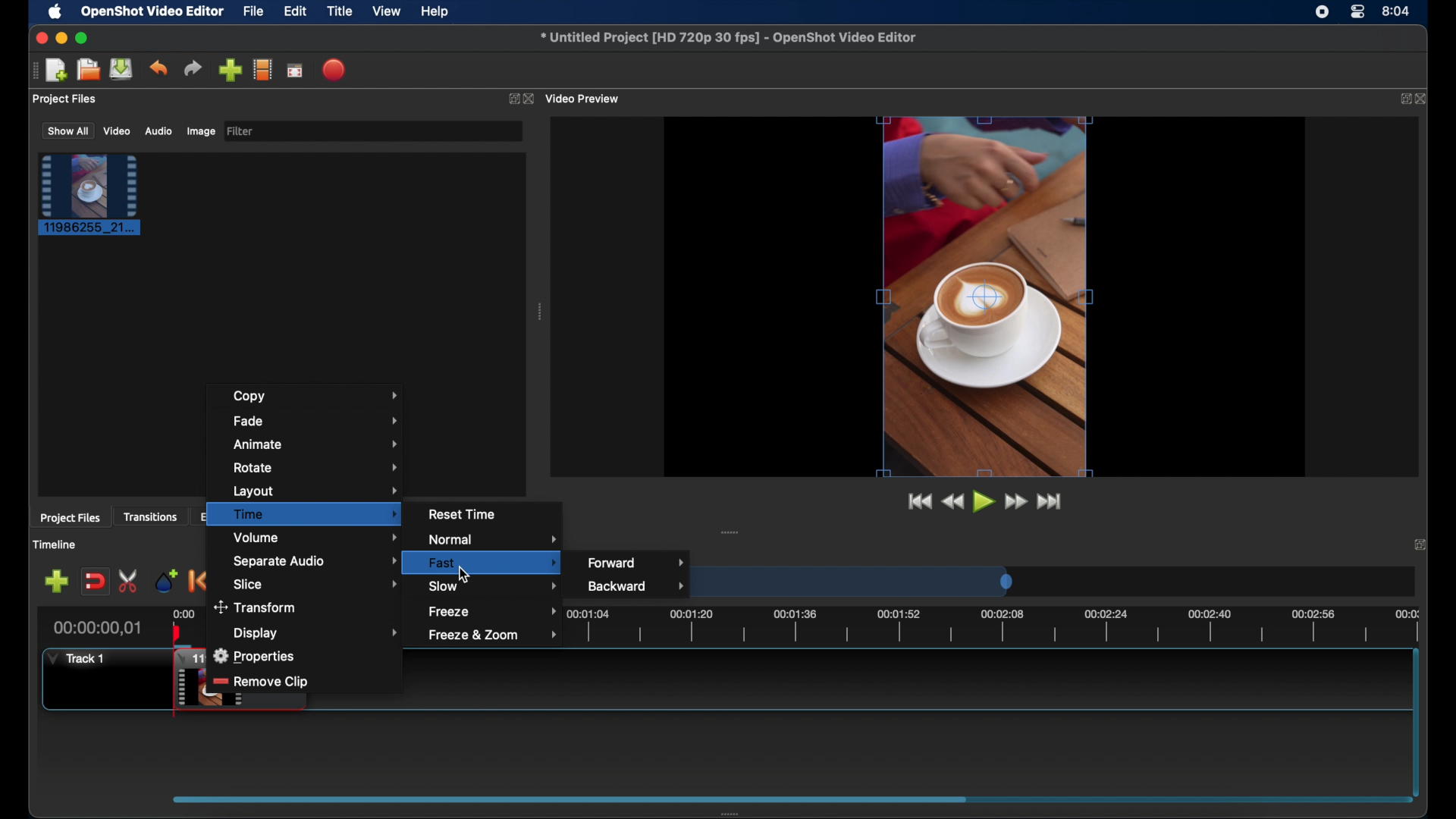 The image size is (1456, 819). I want to click on expand, so click(512, 99).